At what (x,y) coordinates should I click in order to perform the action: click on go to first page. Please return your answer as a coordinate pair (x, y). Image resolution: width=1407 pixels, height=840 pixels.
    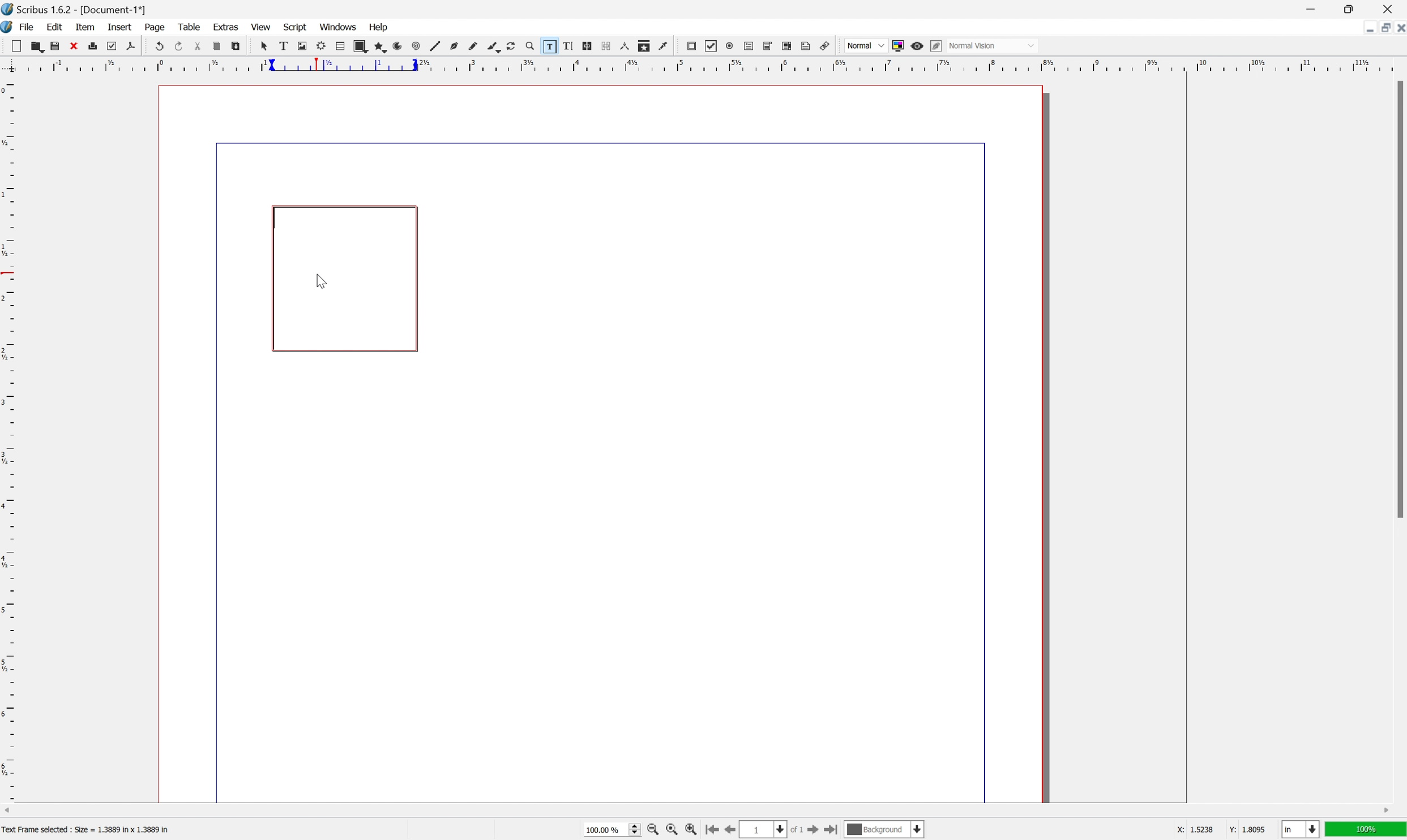
    Looking at the image, I should click on (713, 830).